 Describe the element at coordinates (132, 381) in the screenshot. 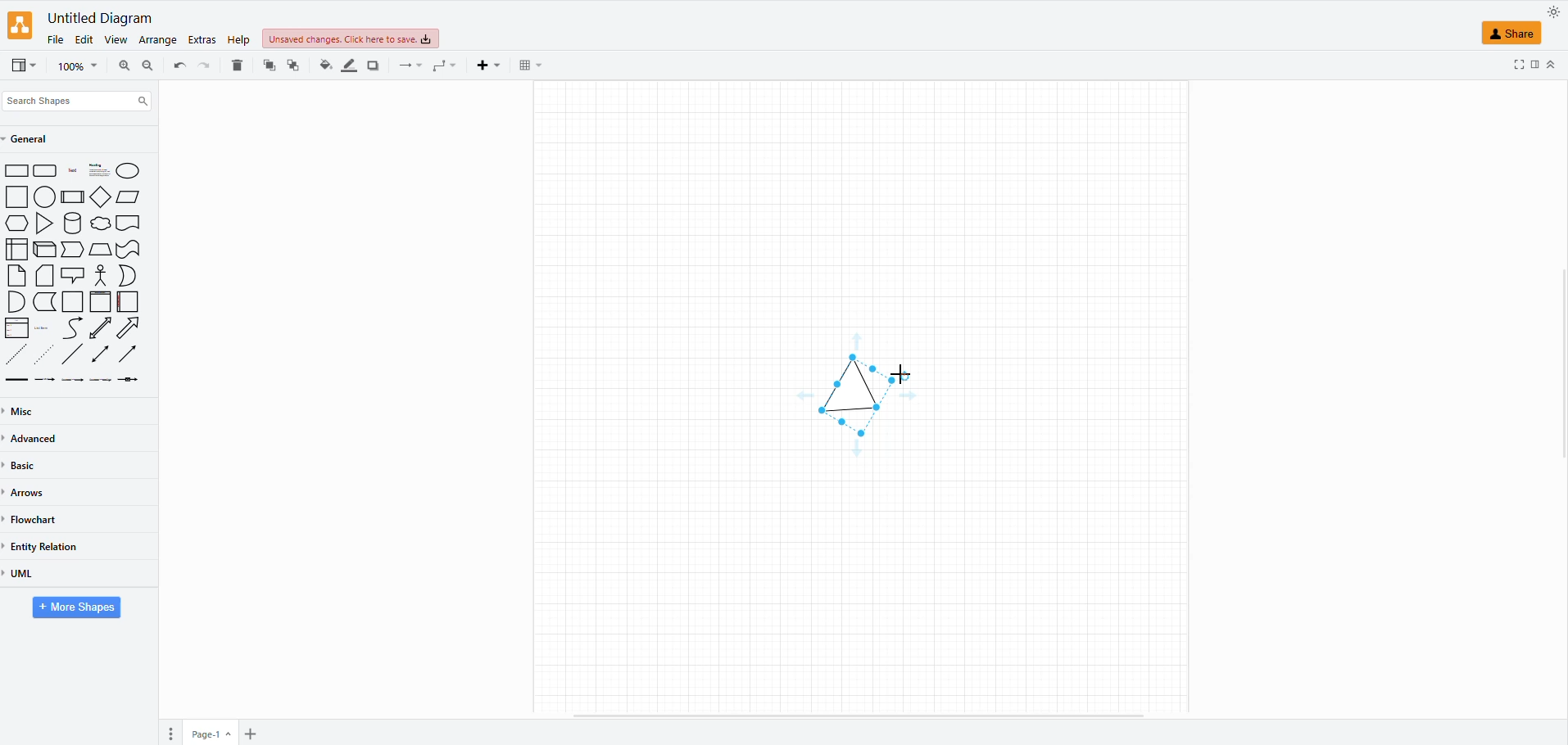

I see `Labelled Arrow` at that location.